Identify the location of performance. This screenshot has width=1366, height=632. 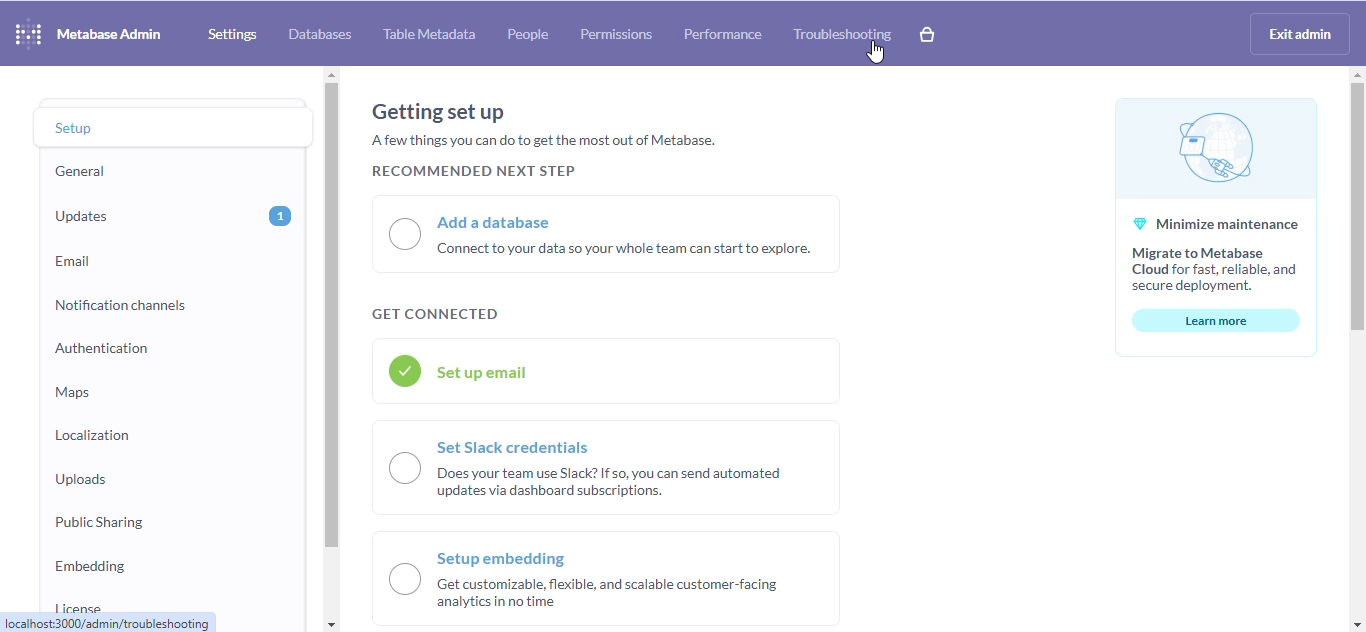
(723, 34).